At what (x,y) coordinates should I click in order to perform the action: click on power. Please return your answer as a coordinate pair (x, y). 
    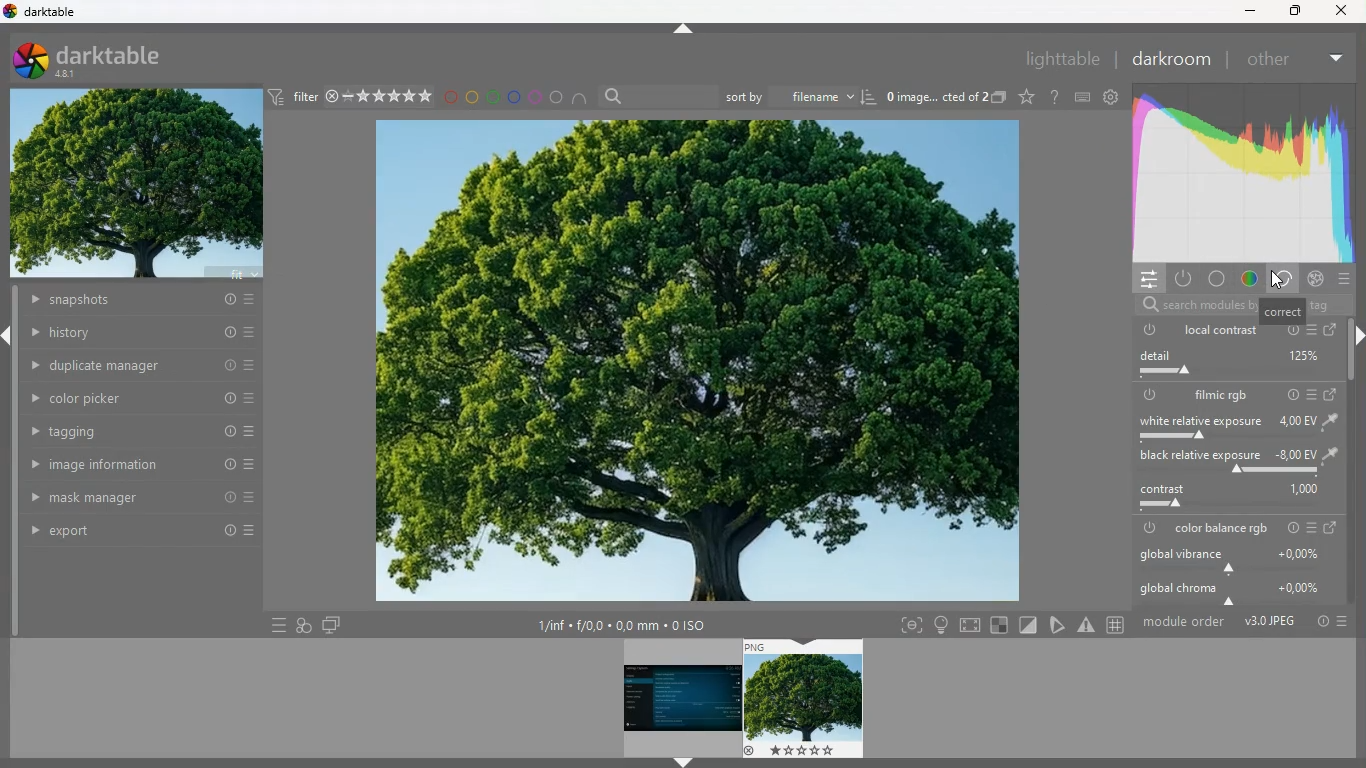
    Looking at the image, I should click on (1151, 395).